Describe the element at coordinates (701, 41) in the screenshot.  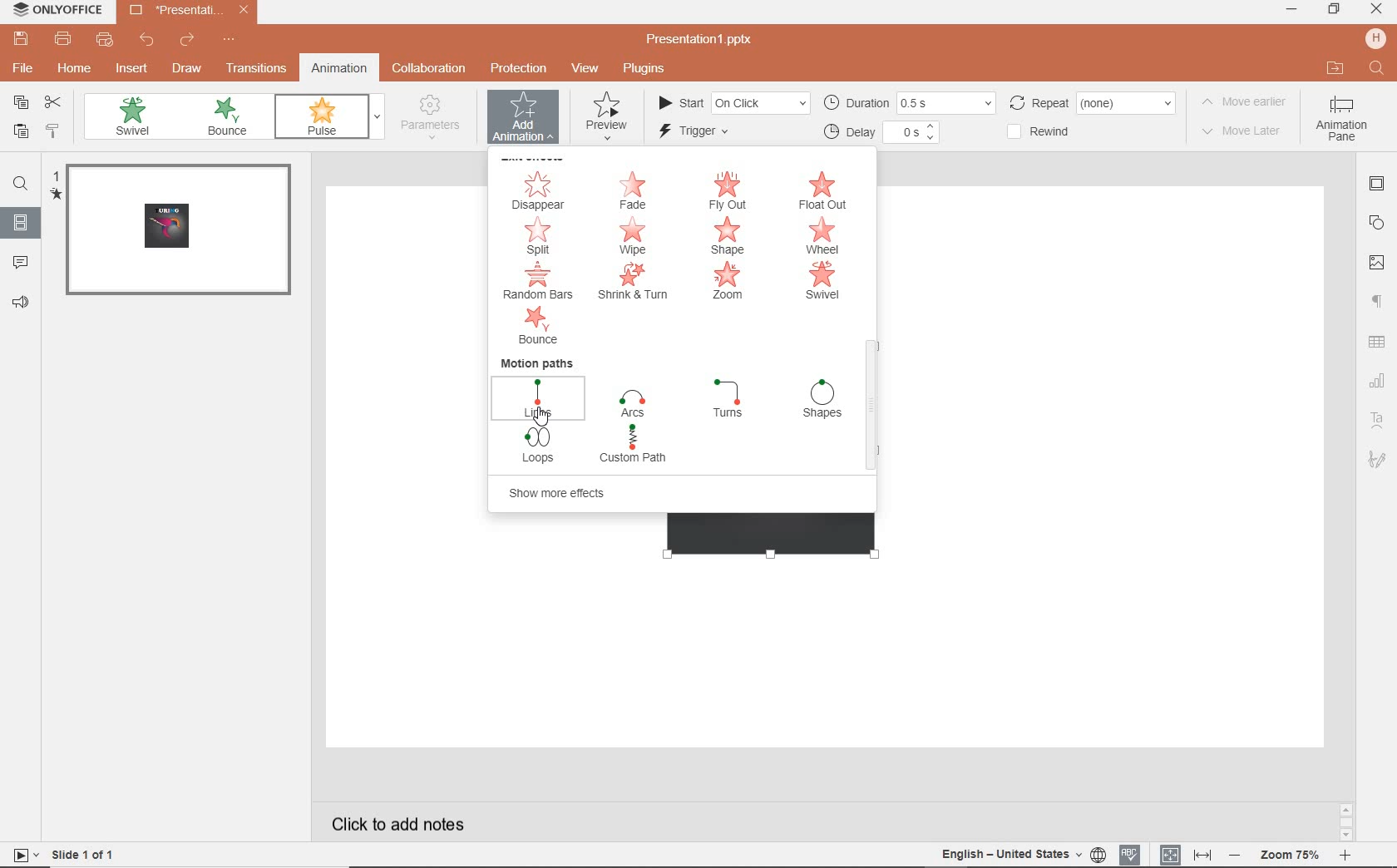
I see `presentation name` at that location.